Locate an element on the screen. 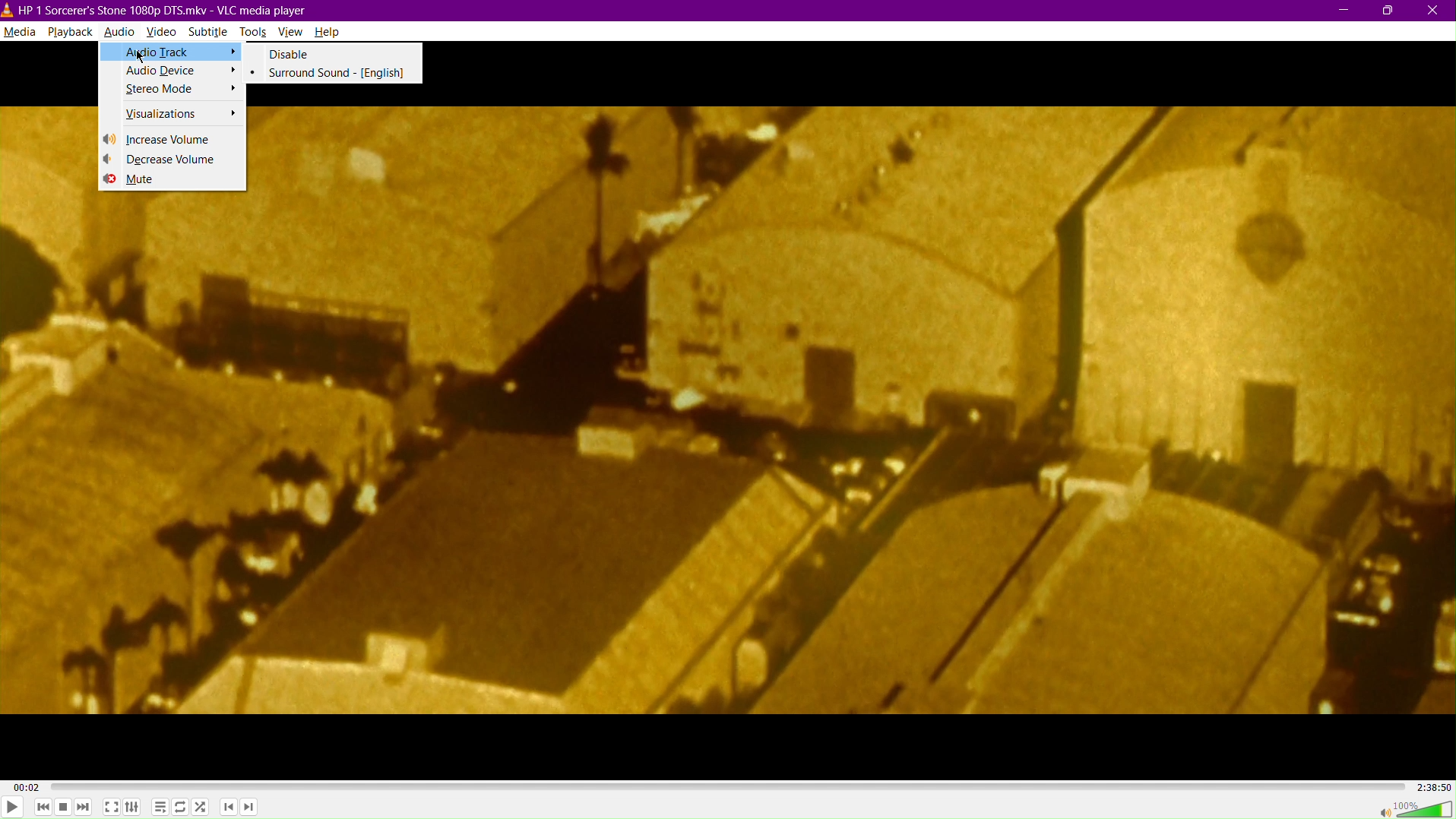  Media is located at coordinates (19, 32).